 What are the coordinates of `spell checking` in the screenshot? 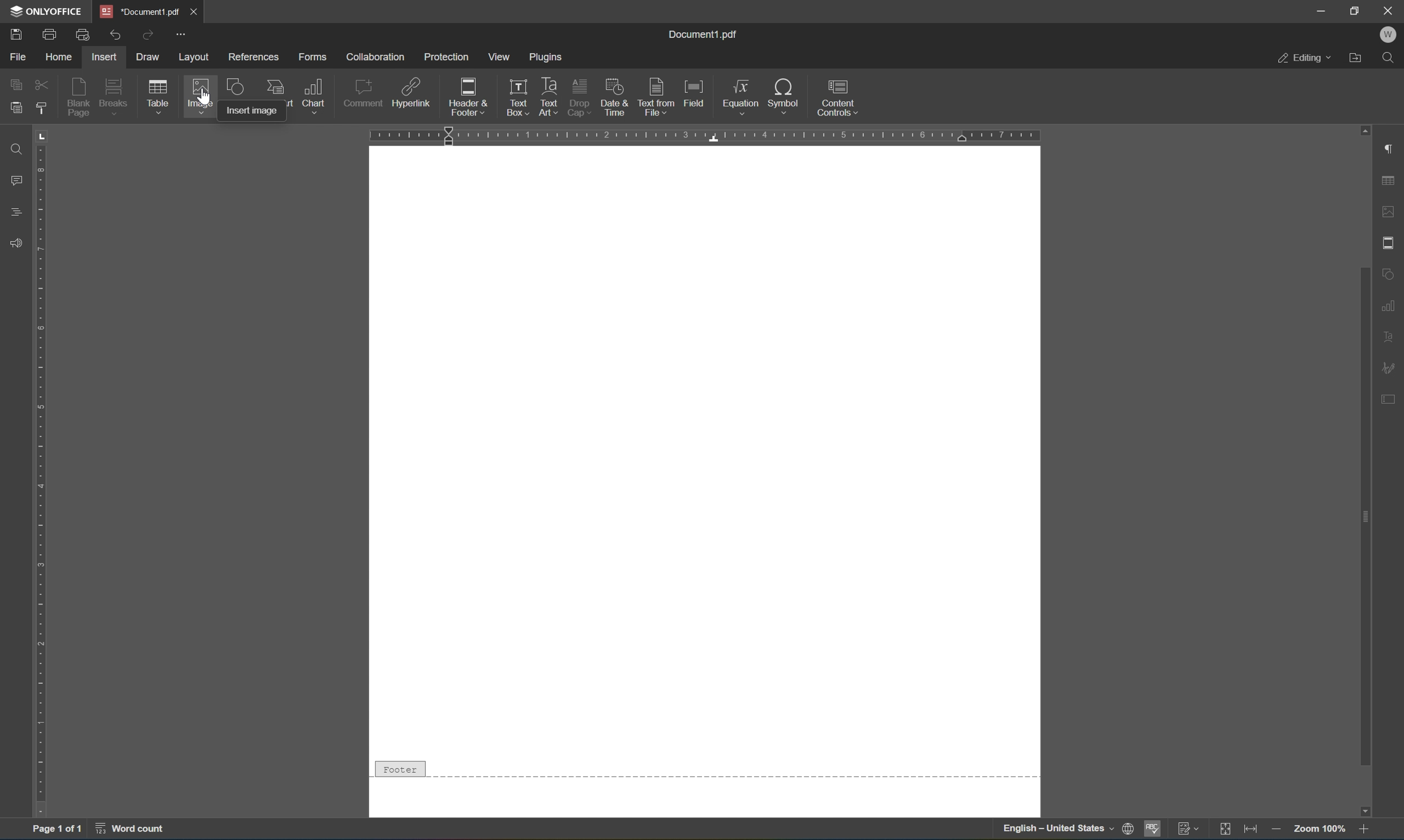 It's located at (1152, 830).